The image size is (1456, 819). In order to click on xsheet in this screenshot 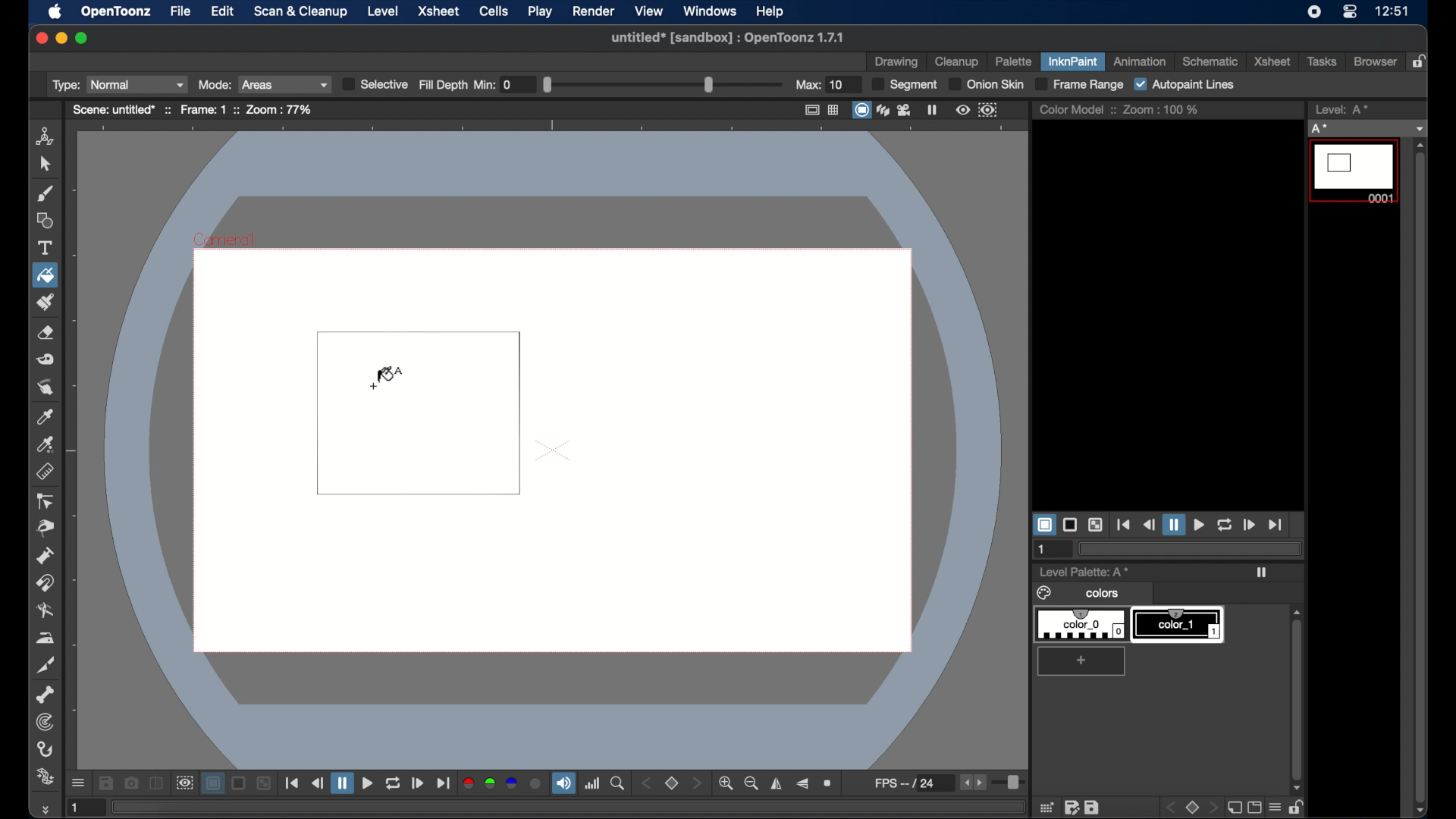, I will do `click(1271, 61)`.